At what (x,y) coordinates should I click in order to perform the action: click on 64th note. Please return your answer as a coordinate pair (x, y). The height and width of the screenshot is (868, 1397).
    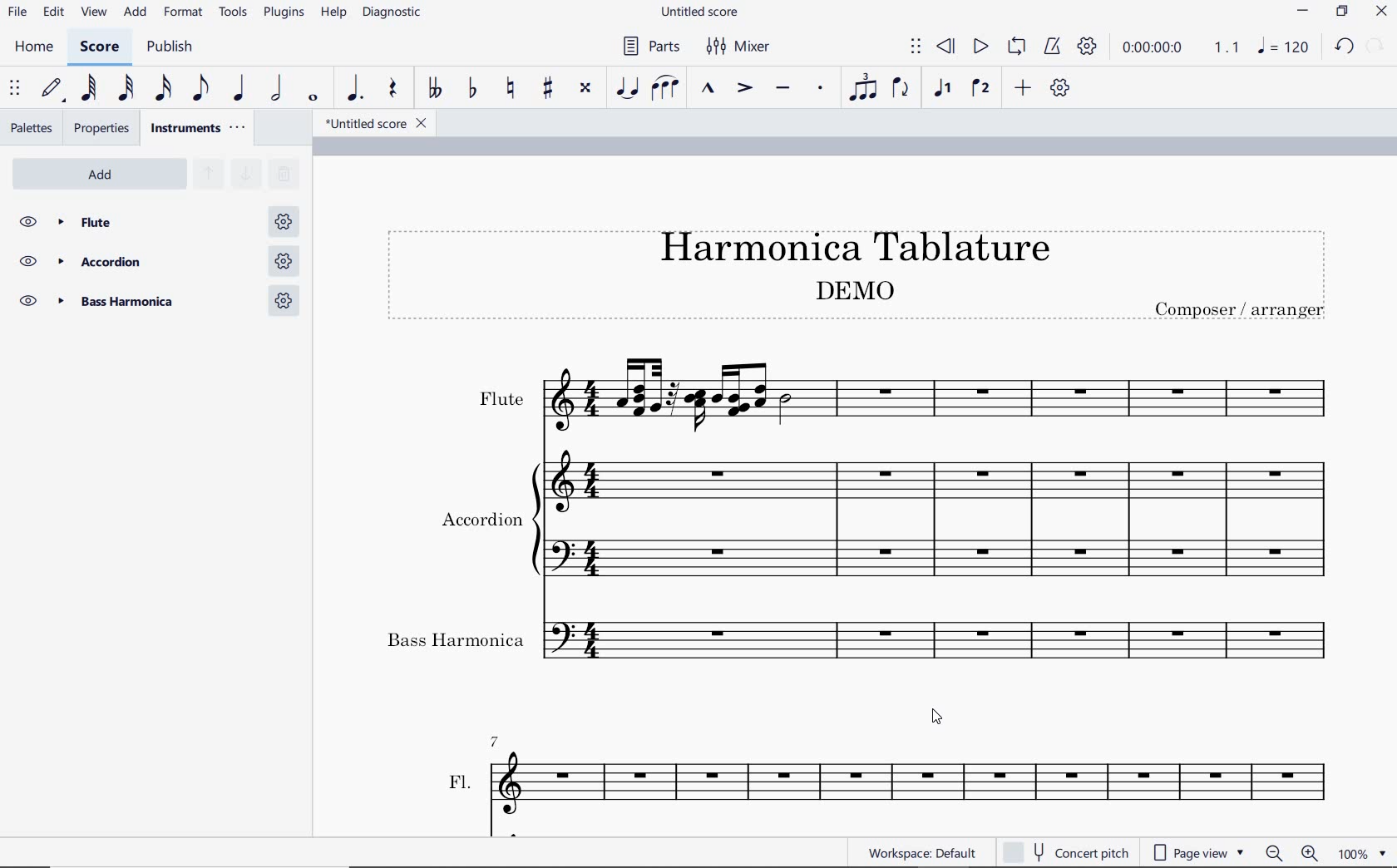
    Looking at the image, I should click on (89, 88).